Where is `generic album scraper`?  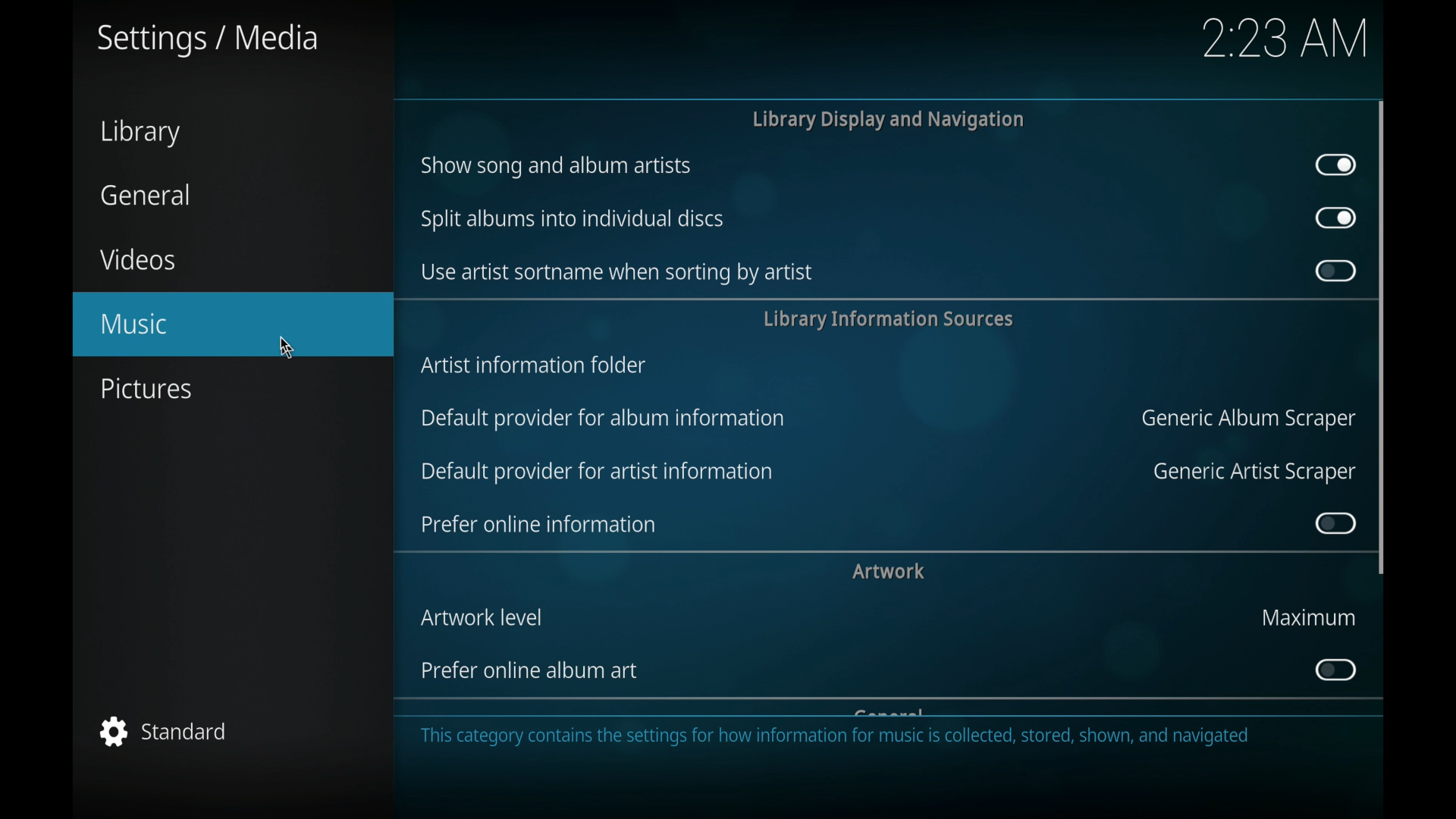
generic album scraper is located at coordinates (1245, 419).